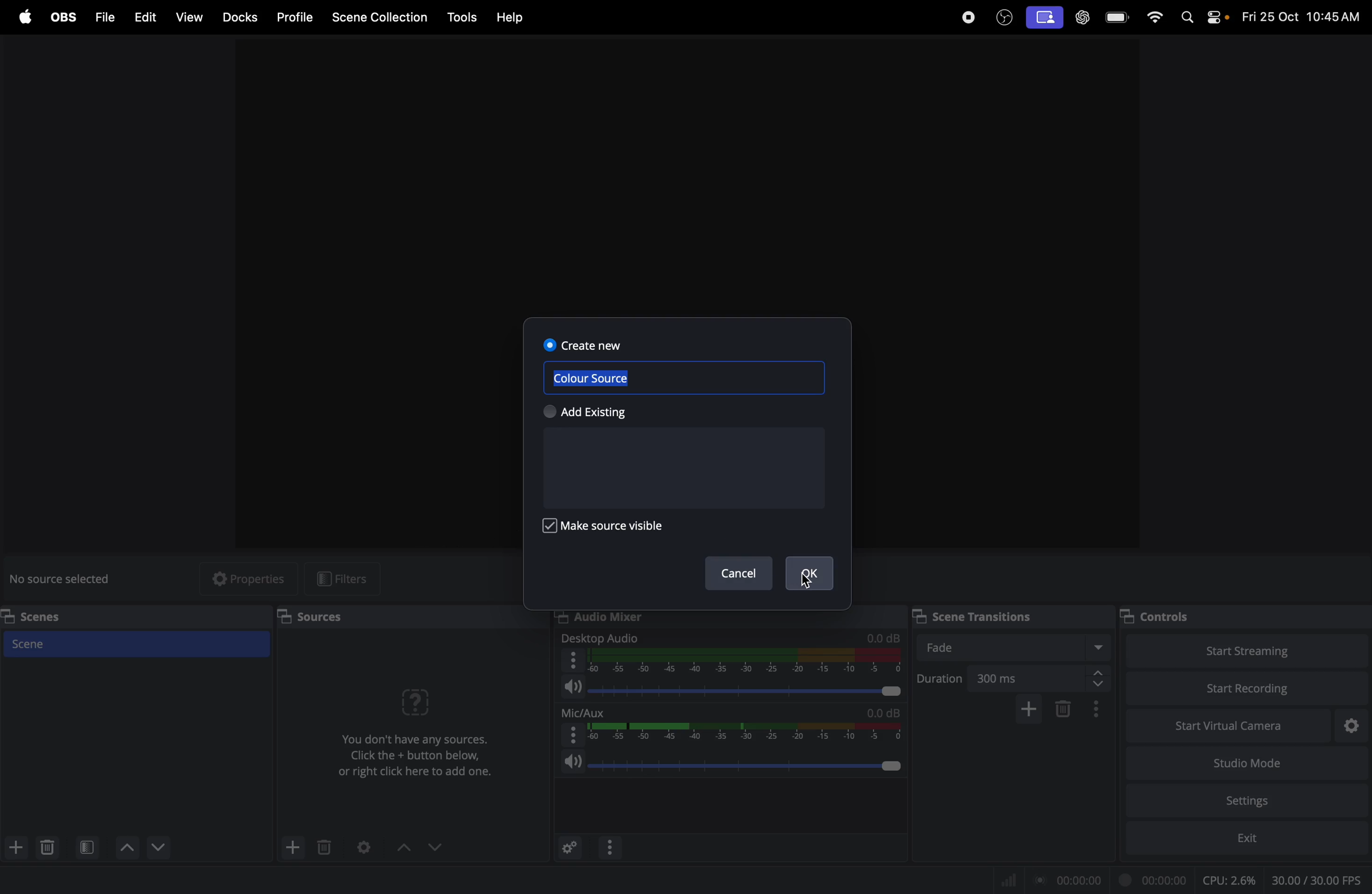  I want to click on help, so click(514, 18).